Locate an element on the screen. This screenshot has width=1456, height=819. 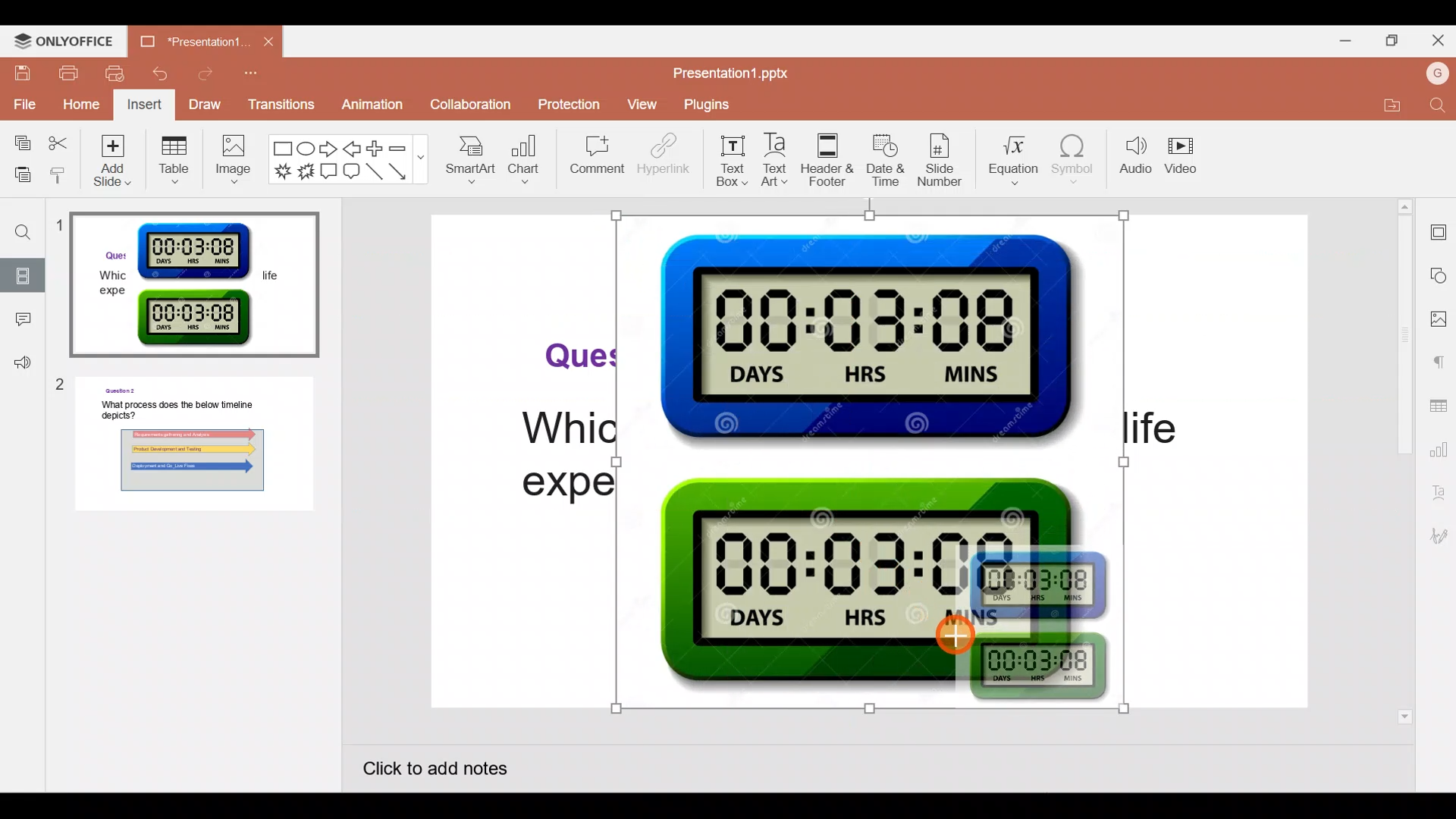
Table settings is located at coordinates (1438, 408).